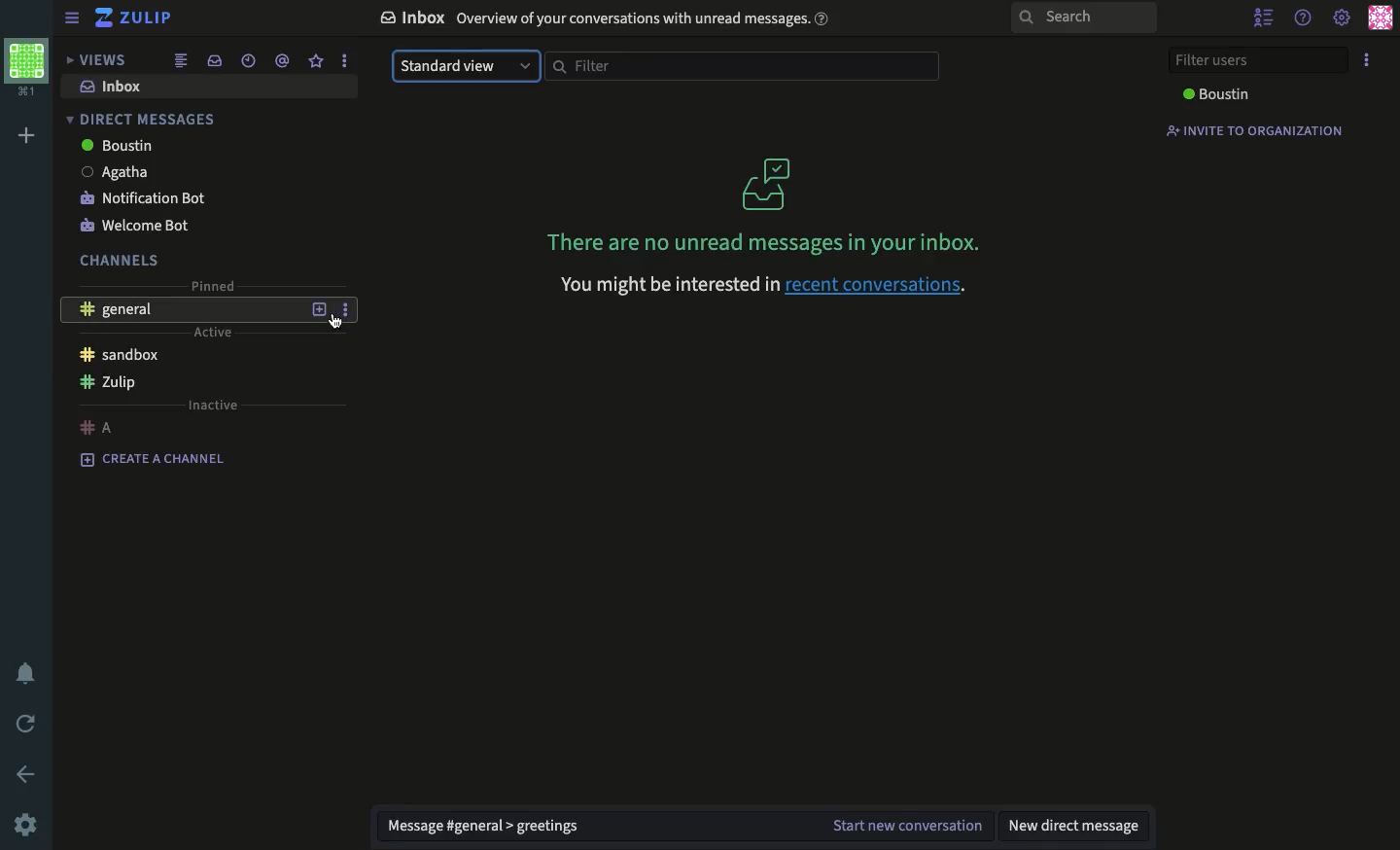 This screenshot has width=1400, height=850. What do you see at coordinates (98, 59) in the screenshot?
I see `views` at bounding box center [98, 59].